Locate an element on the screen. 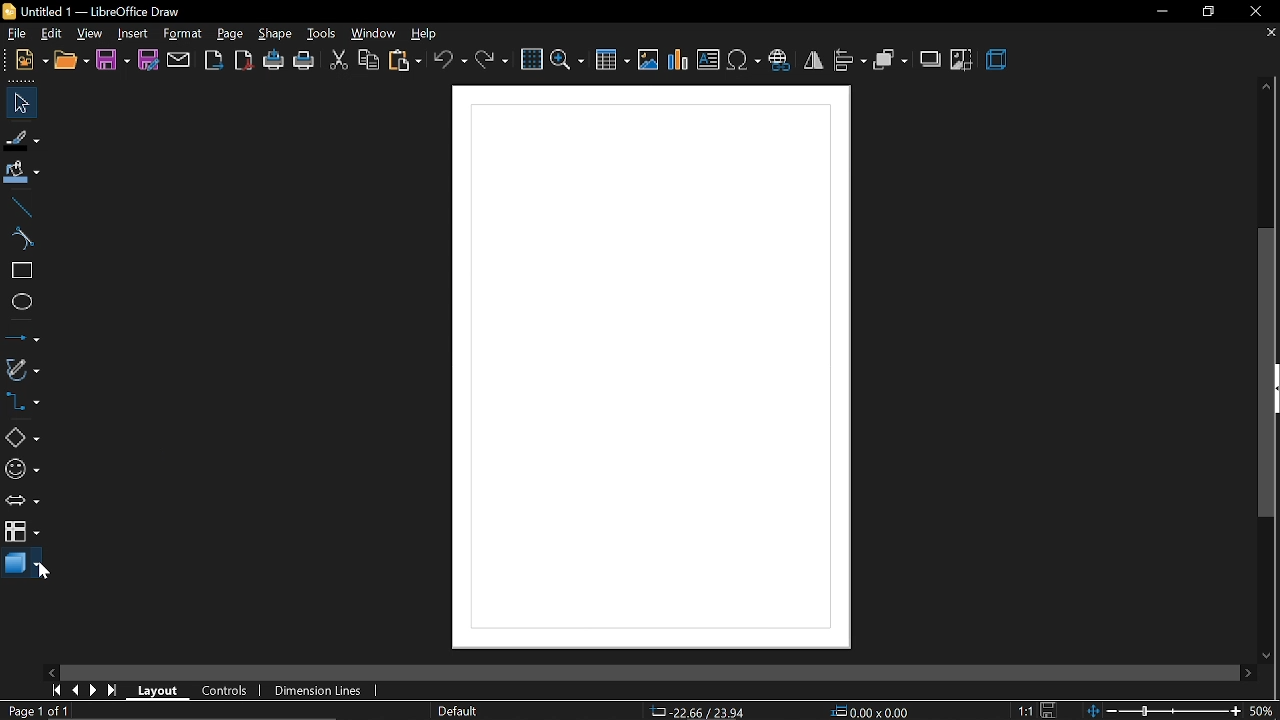 The height and width of the screenshot is (720, 1280). insert image is located at coordinates (648, 59).